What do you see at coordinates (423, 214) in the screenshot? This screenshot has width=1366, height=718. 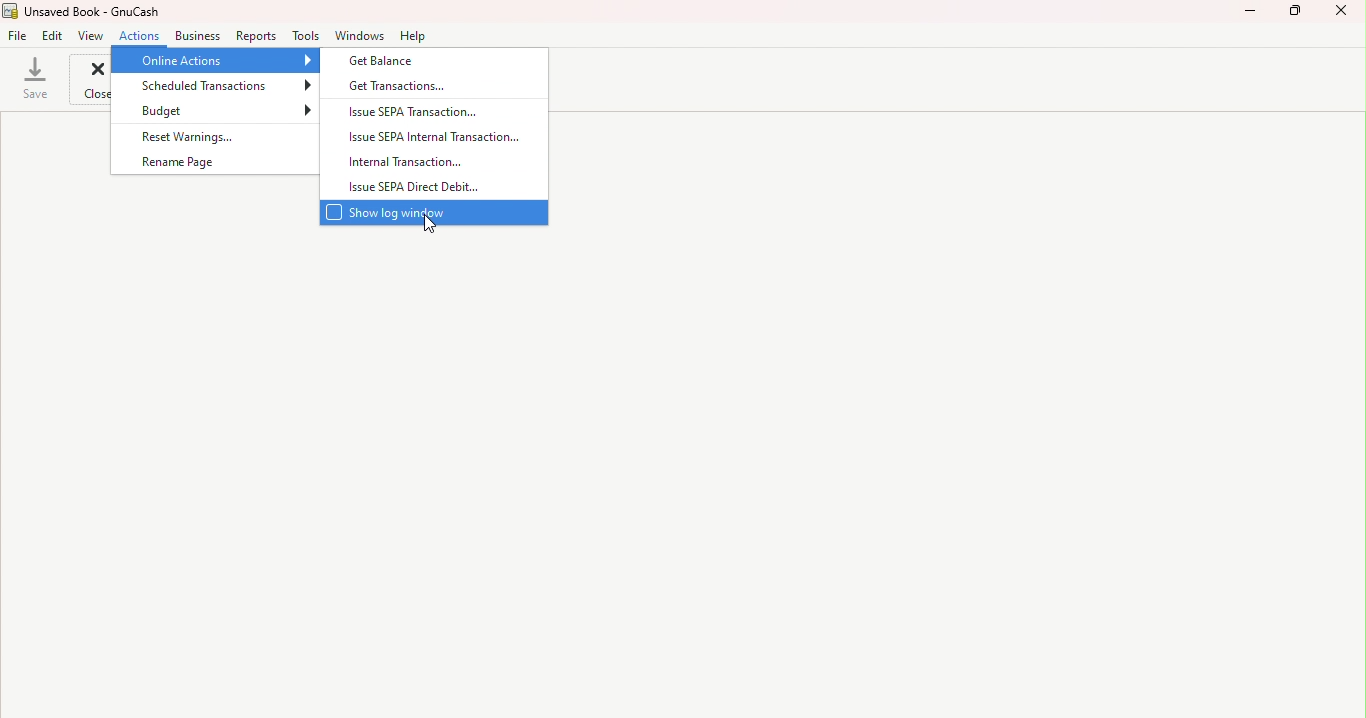 I see `Show login window` at bounding box center [423, 214].